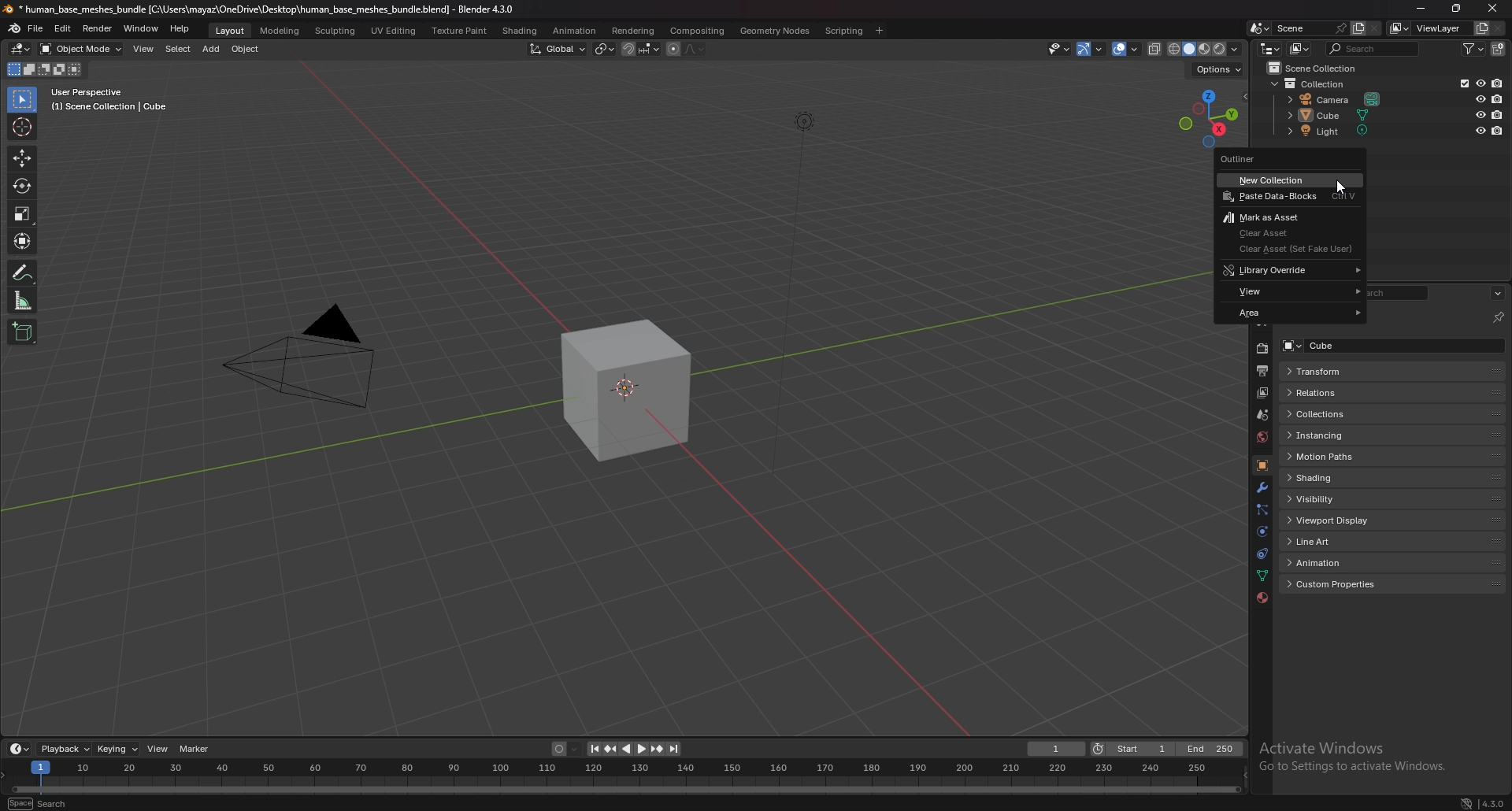 The image size is (1512, 811). Describe the element at coordinates (1262, 349) in the screenshot. I see `render` at that location.